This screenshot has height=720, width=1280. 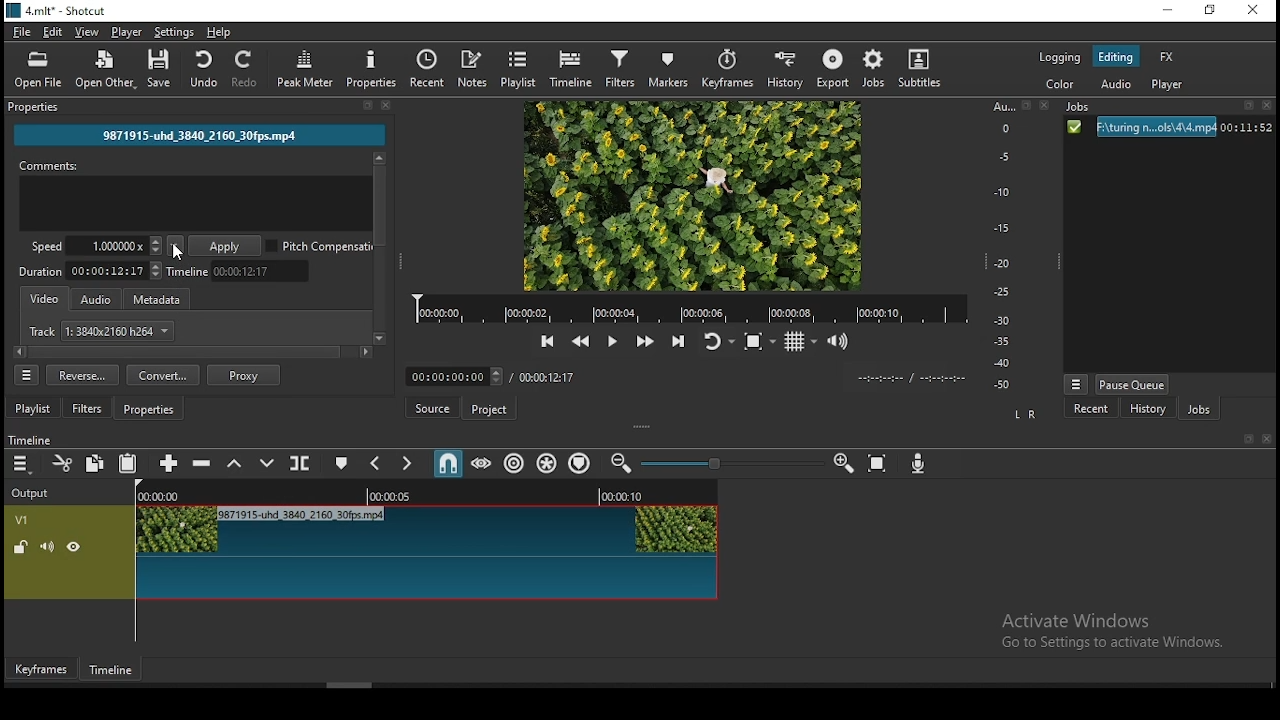 I want to click on apply, so click(x=227, y=247).